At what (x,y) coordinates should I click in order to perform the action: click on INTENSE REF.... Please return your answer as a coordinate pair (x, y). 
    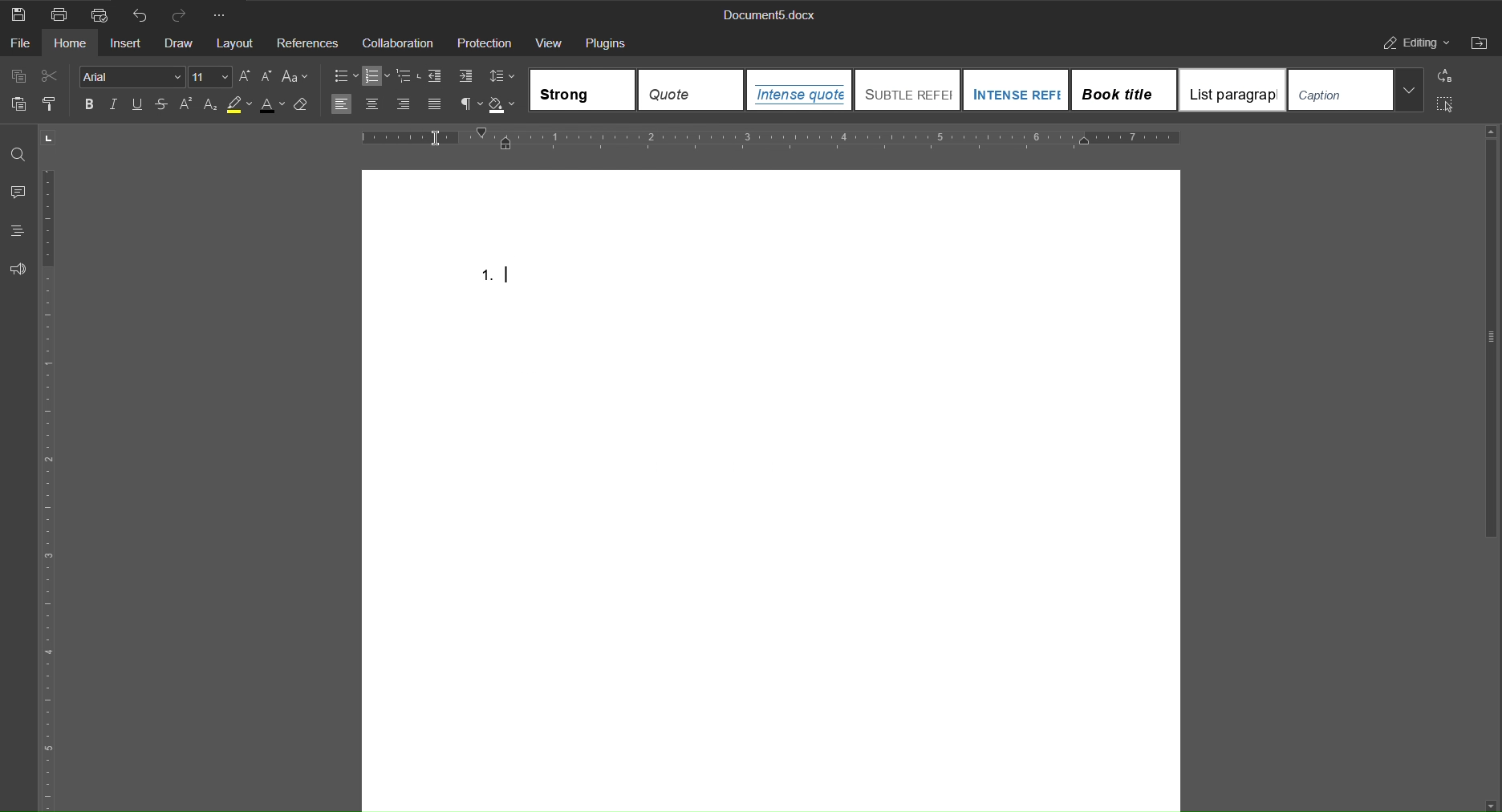
    Looking at the image, I should click on (1018, 91).